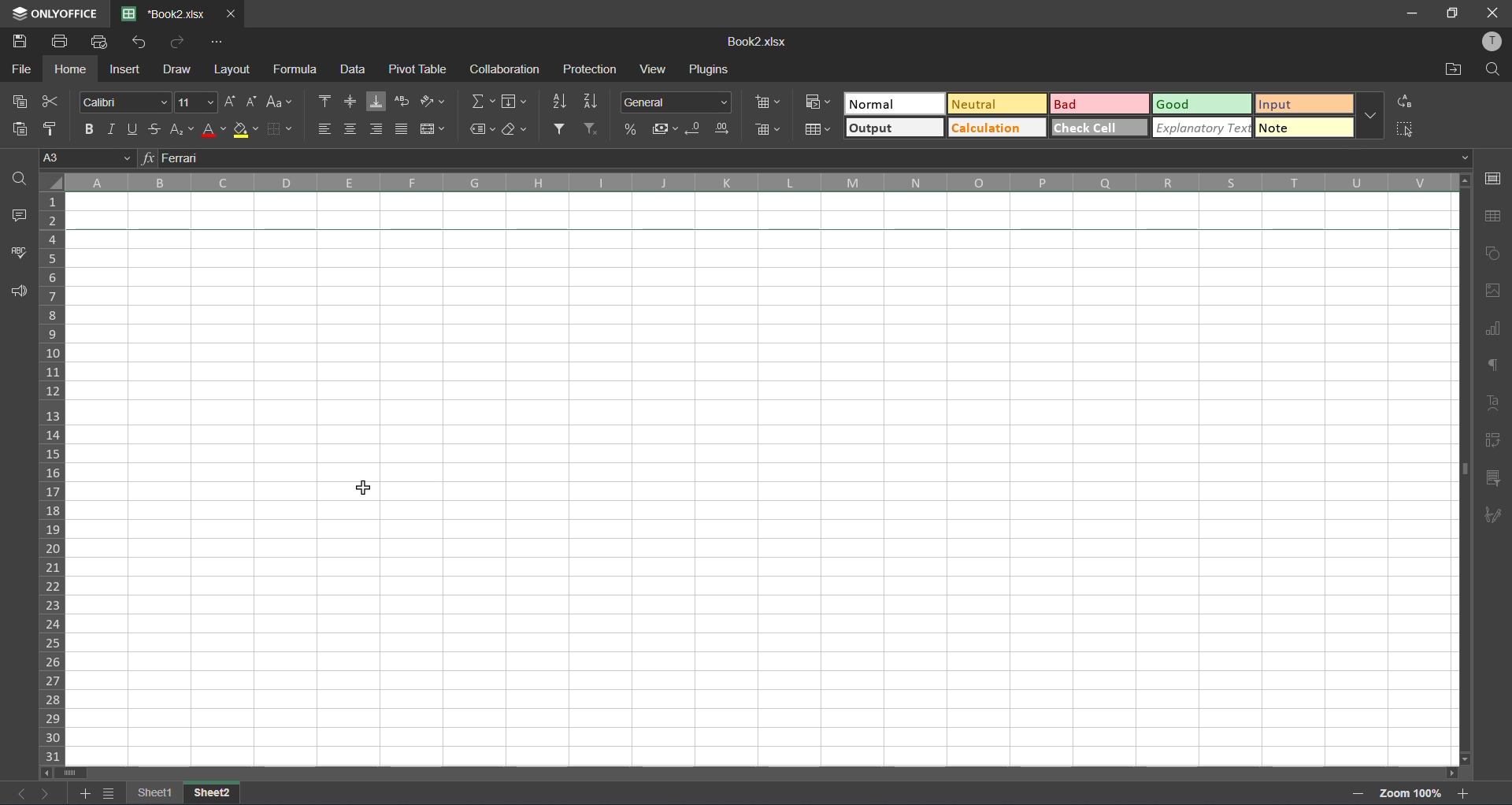  Describe the element at coordinates (183, 792) in the screenshot. I see `sheet names` at that location.